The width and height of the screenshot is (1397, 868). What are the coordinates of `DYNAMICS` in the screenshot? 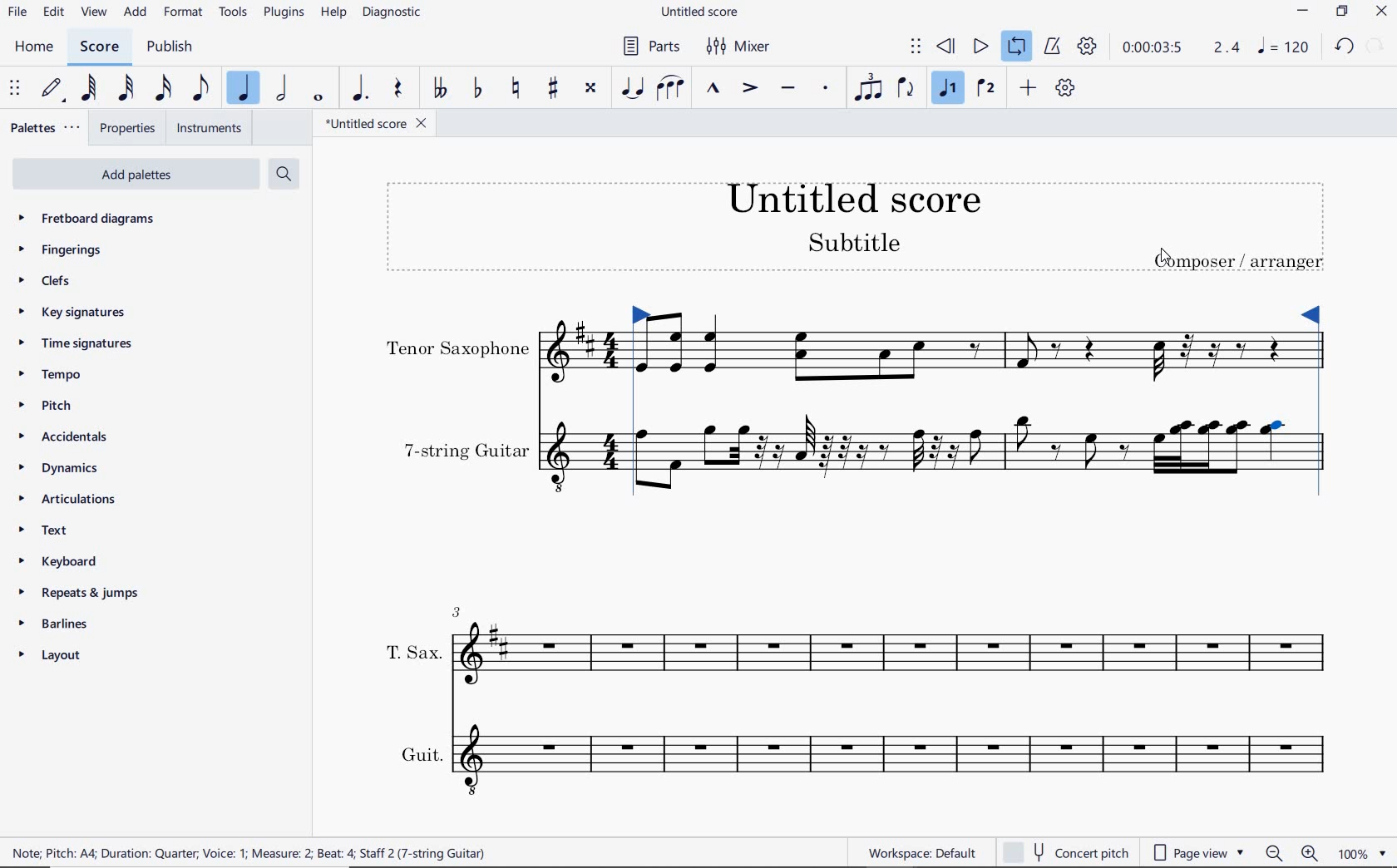 It's located at (55, 468).